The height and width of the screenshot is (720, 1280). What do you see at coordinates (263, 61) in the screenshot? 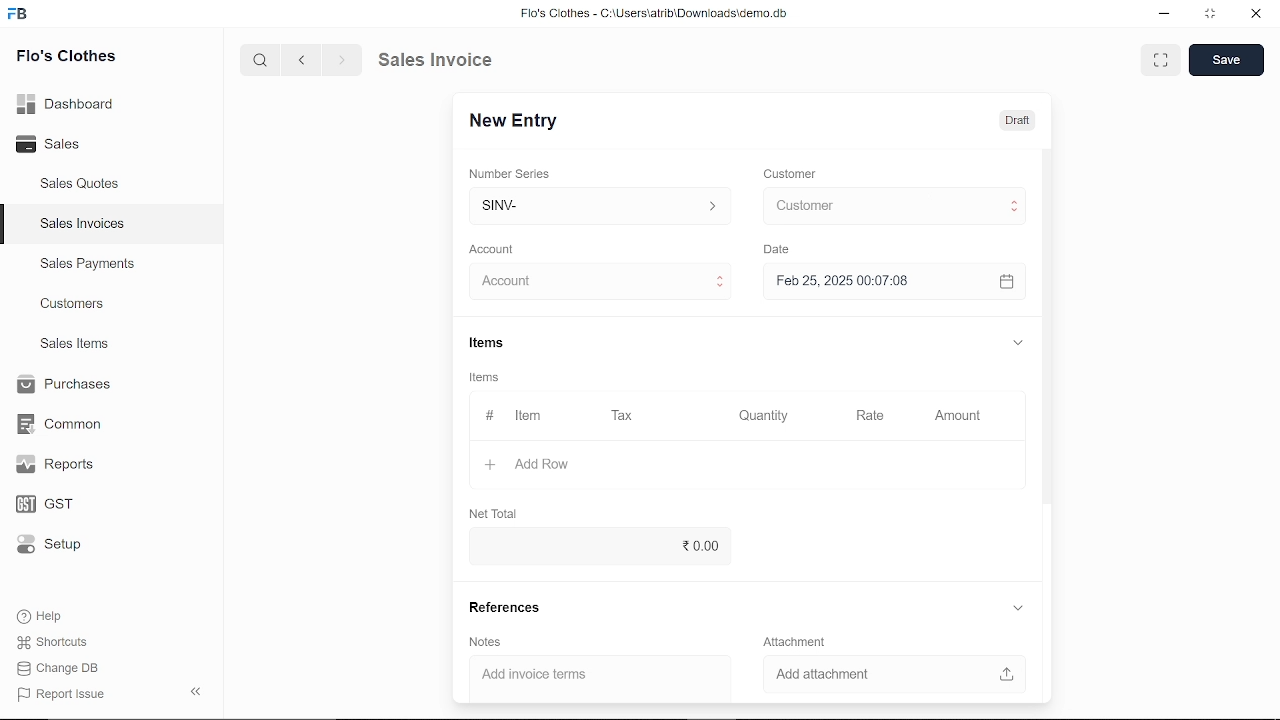
I see `search` at bounding box center [263, 61].